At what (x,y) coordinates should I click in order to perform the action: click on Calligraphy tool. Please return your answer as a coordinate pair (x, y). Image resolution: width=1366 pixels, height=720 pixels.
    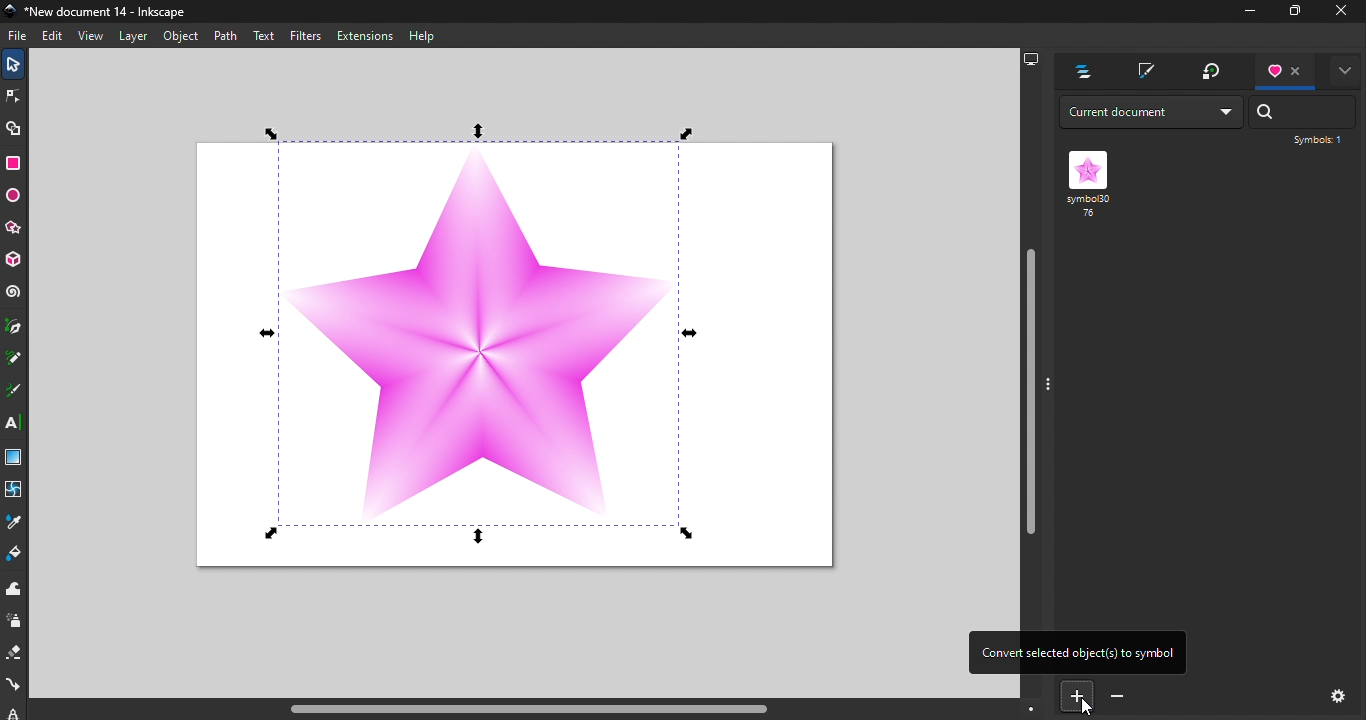
    Looking at the image, I should click on (14, 389).